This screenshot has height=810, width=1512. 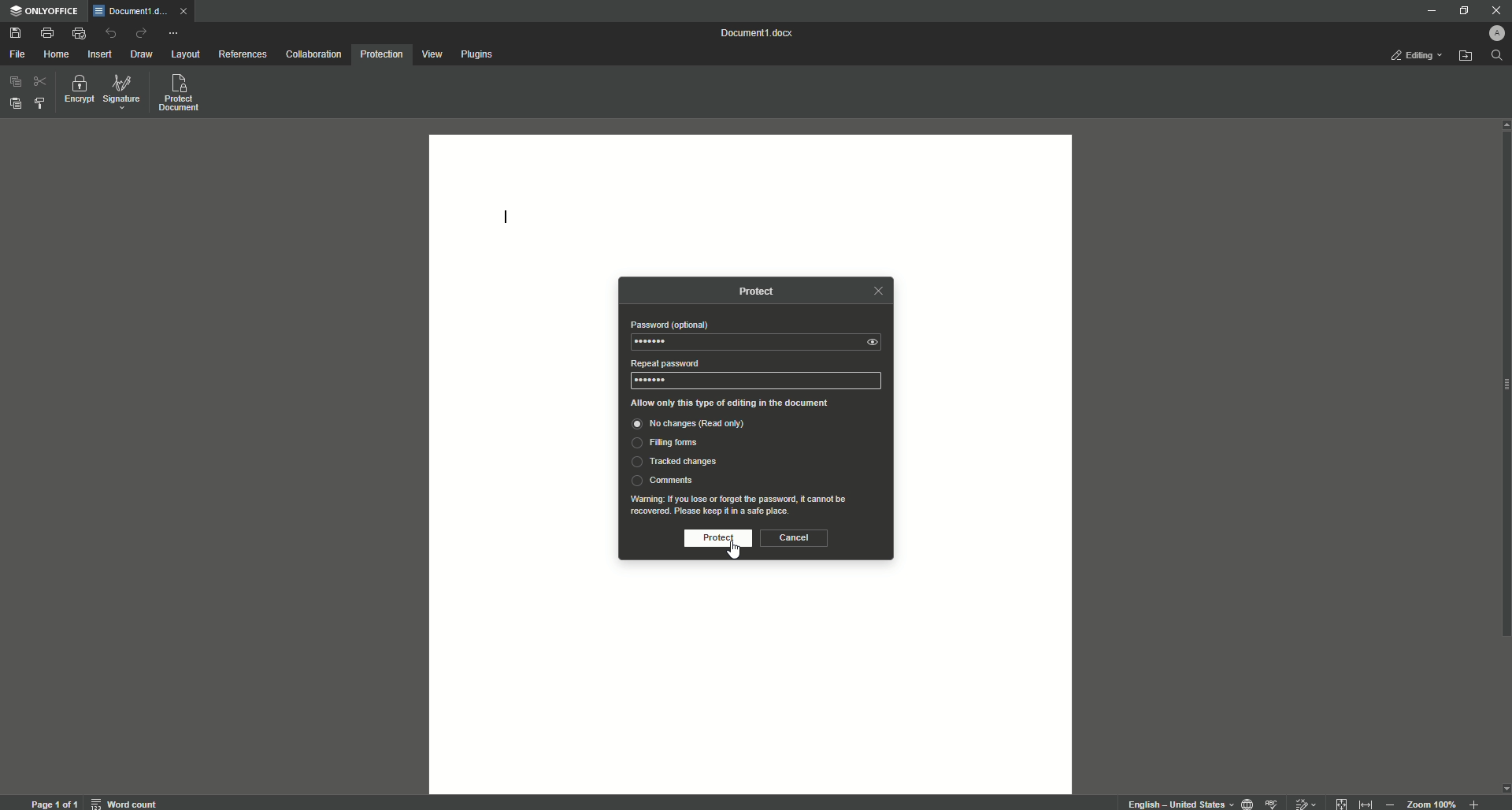 What do you see at coordinates (1342, 801) in the screenshot?
I see `fit to page` at bounding box center [1342, 801].